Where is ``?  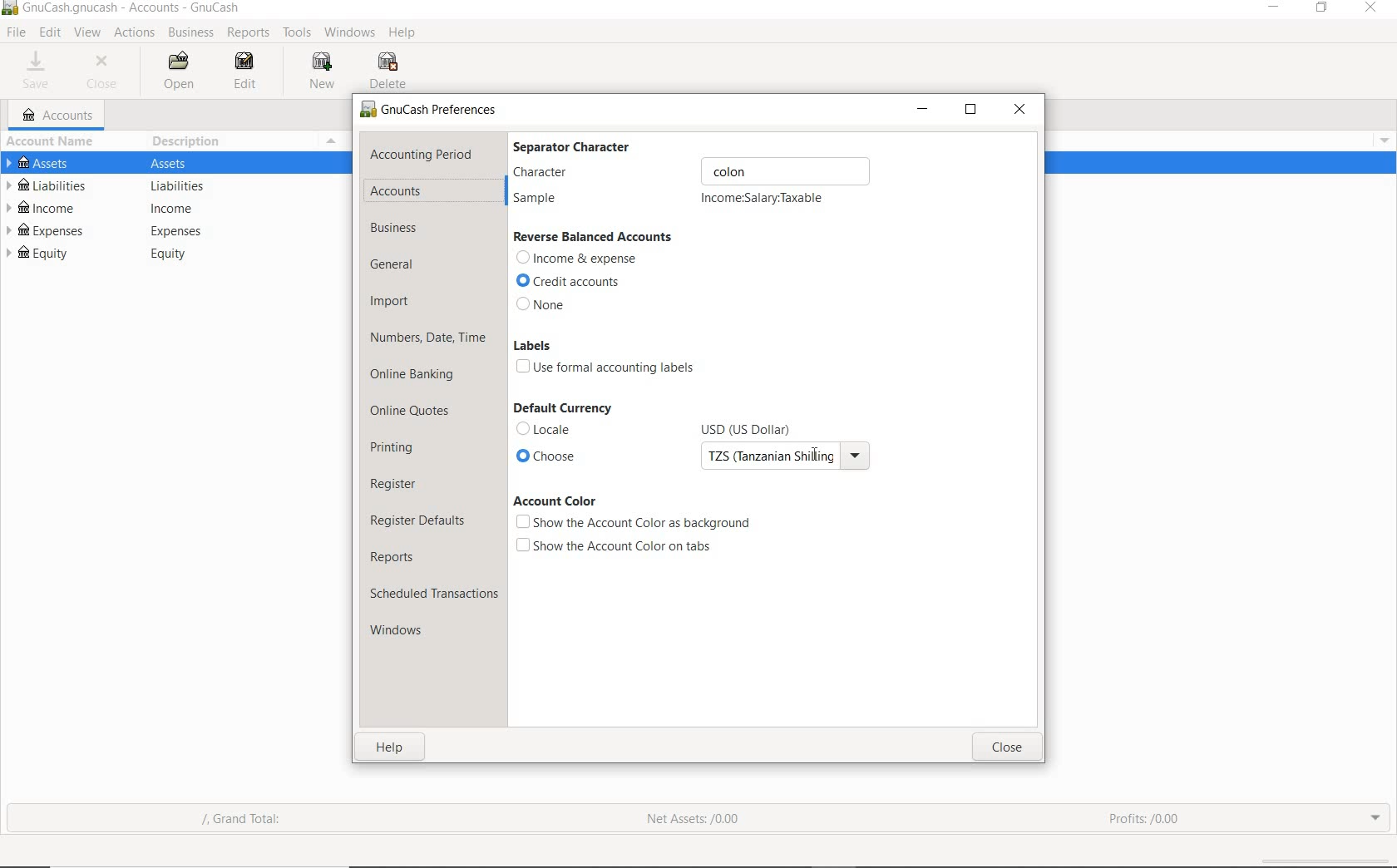  is located at coordinates (175, 258).